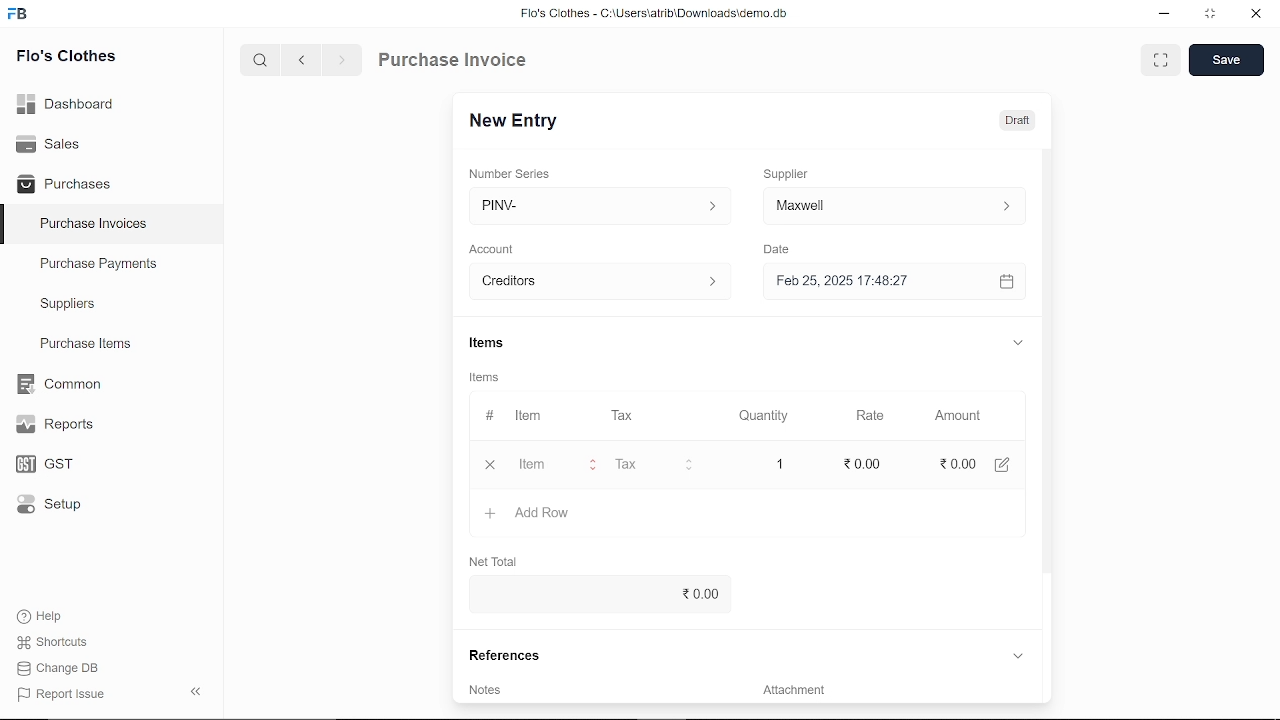  Describe the element at coordinates (112, 268) in the screenshot. I see `Purchase Payments` at that location.